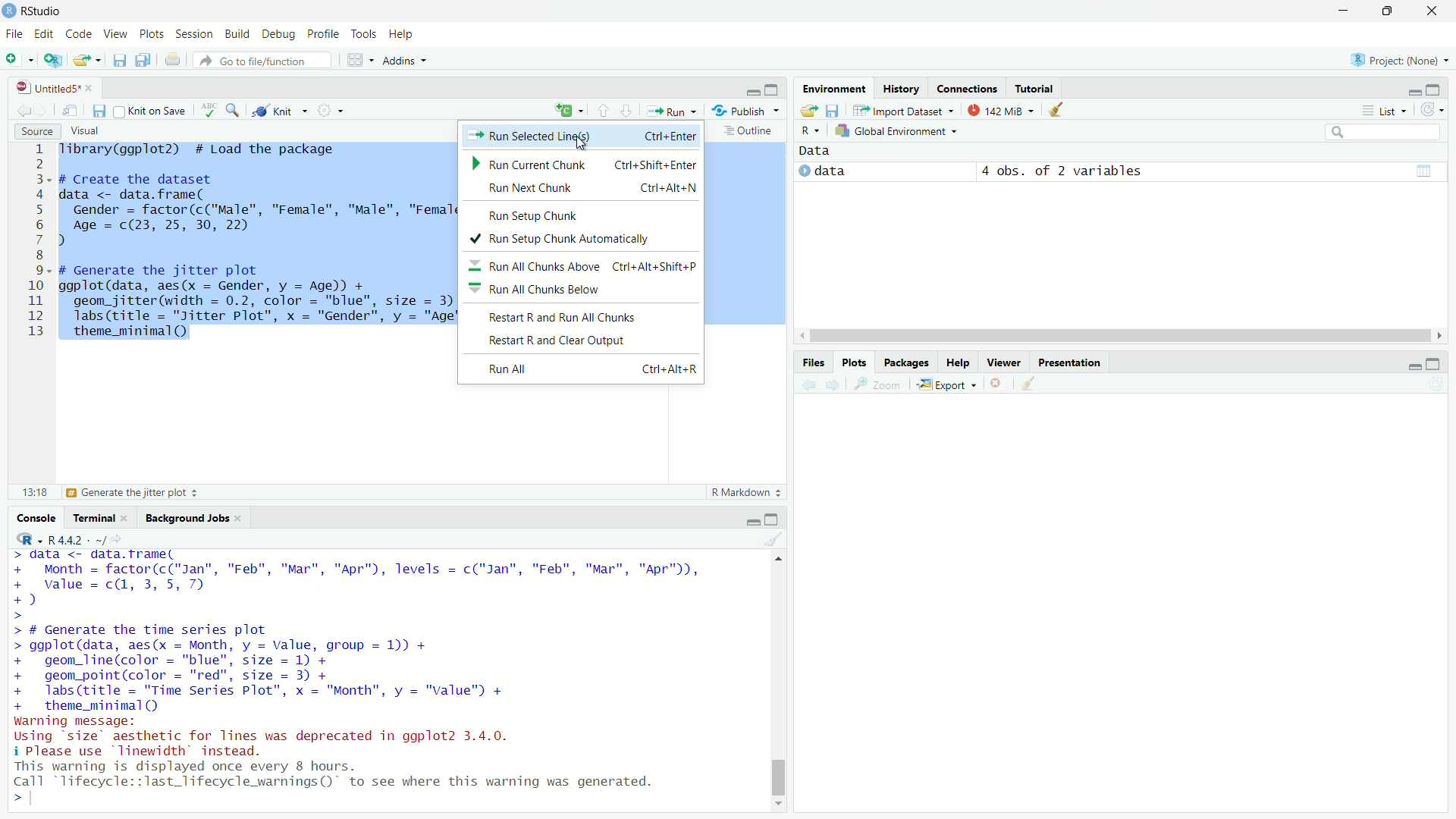 The width and height of the screenshot is (1456, 819). I want to click on maximize, so click(1387, 10).